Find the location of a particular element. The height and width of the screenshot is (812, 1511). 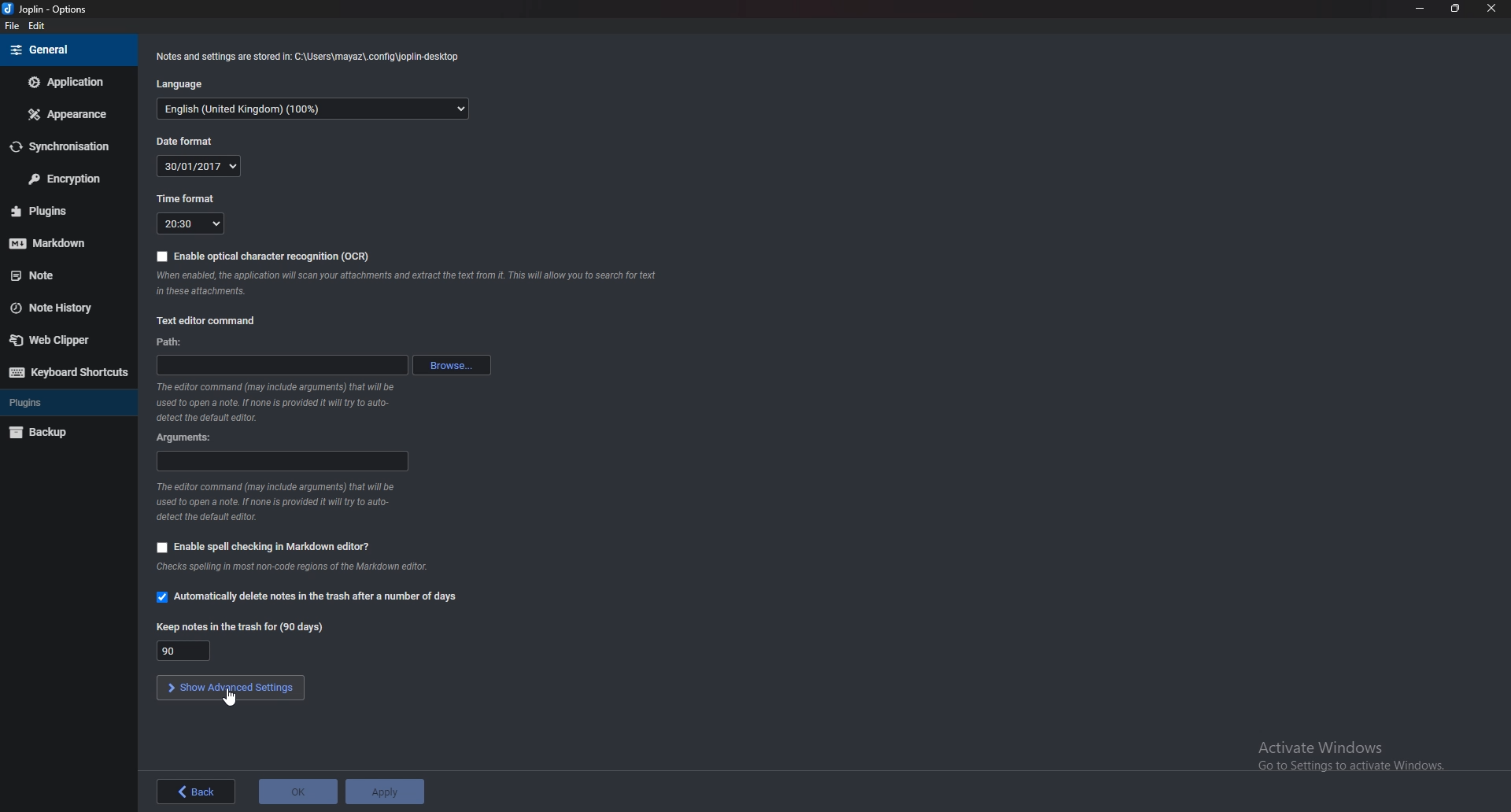

Info is located at coordinates (423, 282).